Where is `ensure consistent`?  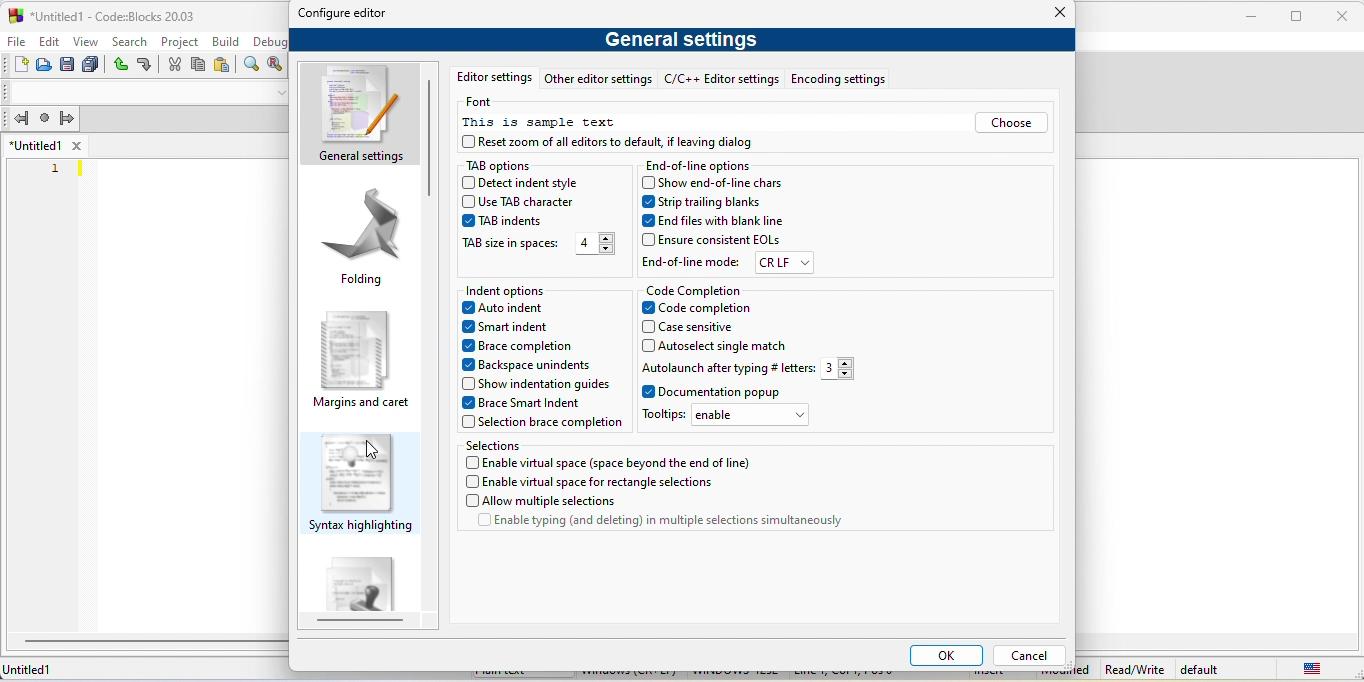
ensure consistent is located at coordinates (713, 239).